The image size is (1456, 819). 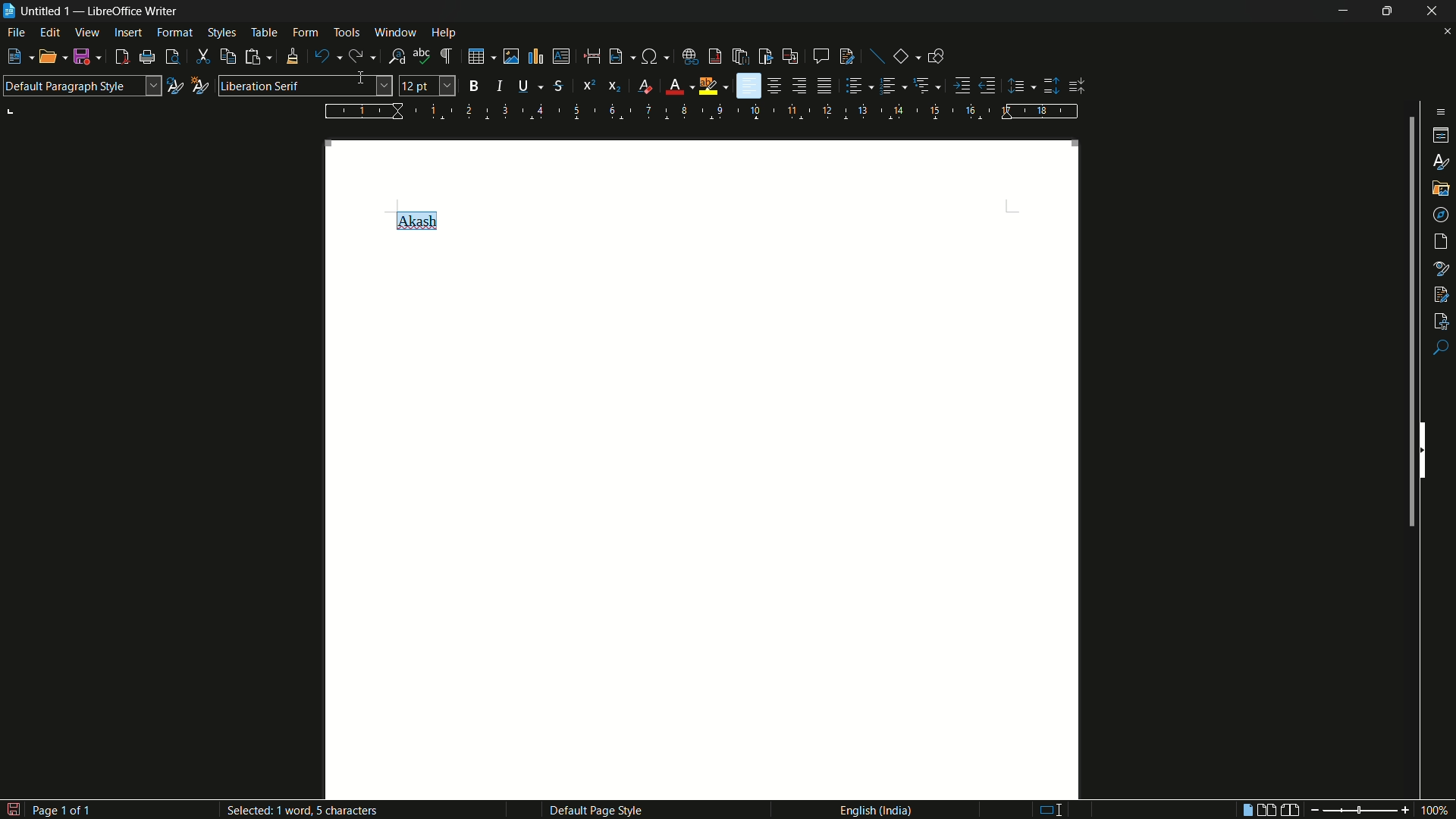 I want to click on insert special characters, so click(x=650, y=58).